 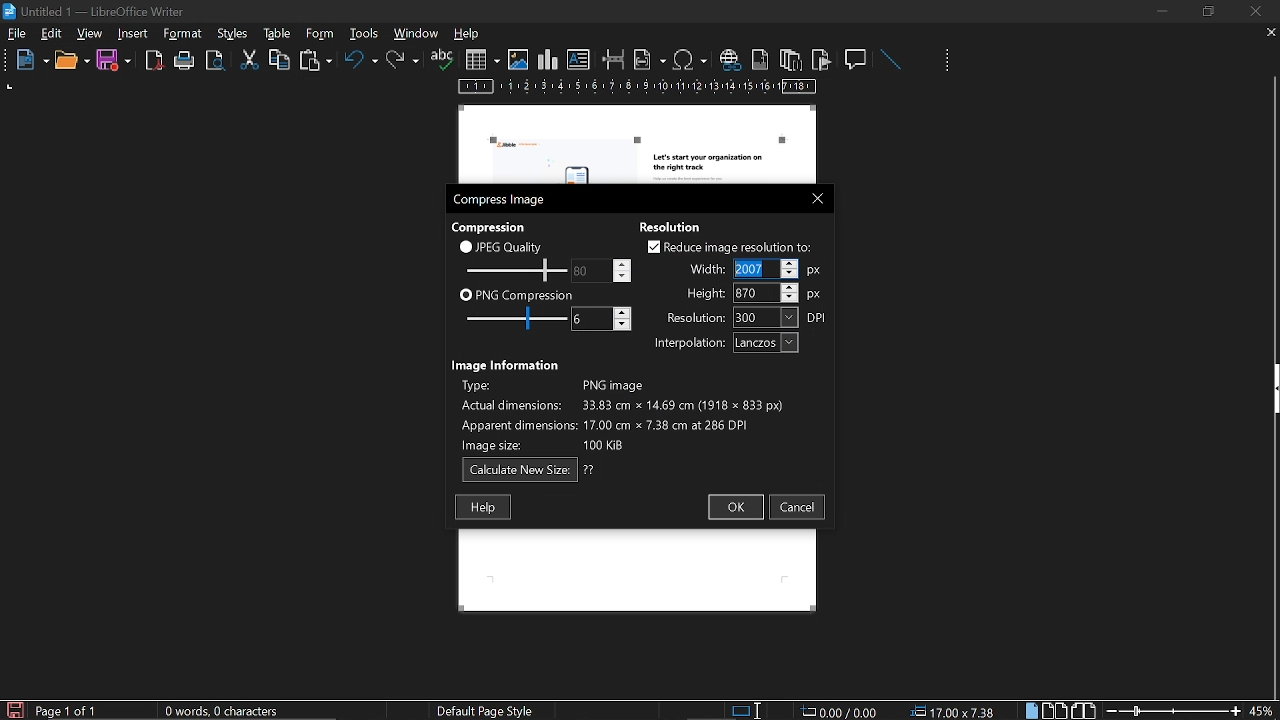 I want to click on new, so click(x=27, y=61).